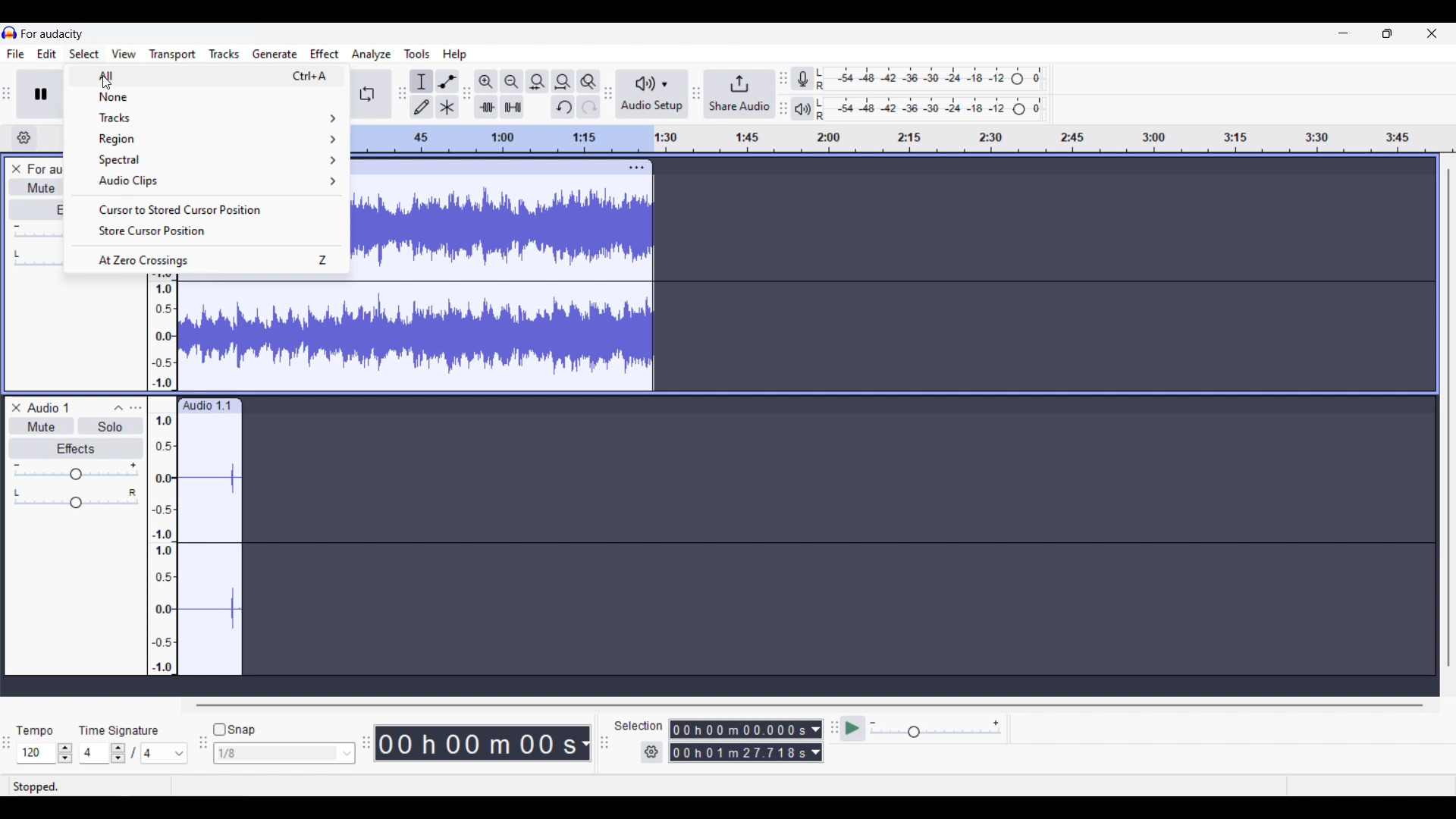 This screenshot has height=819, width=1456. I want to click on Zoom in, so click(485, 82).